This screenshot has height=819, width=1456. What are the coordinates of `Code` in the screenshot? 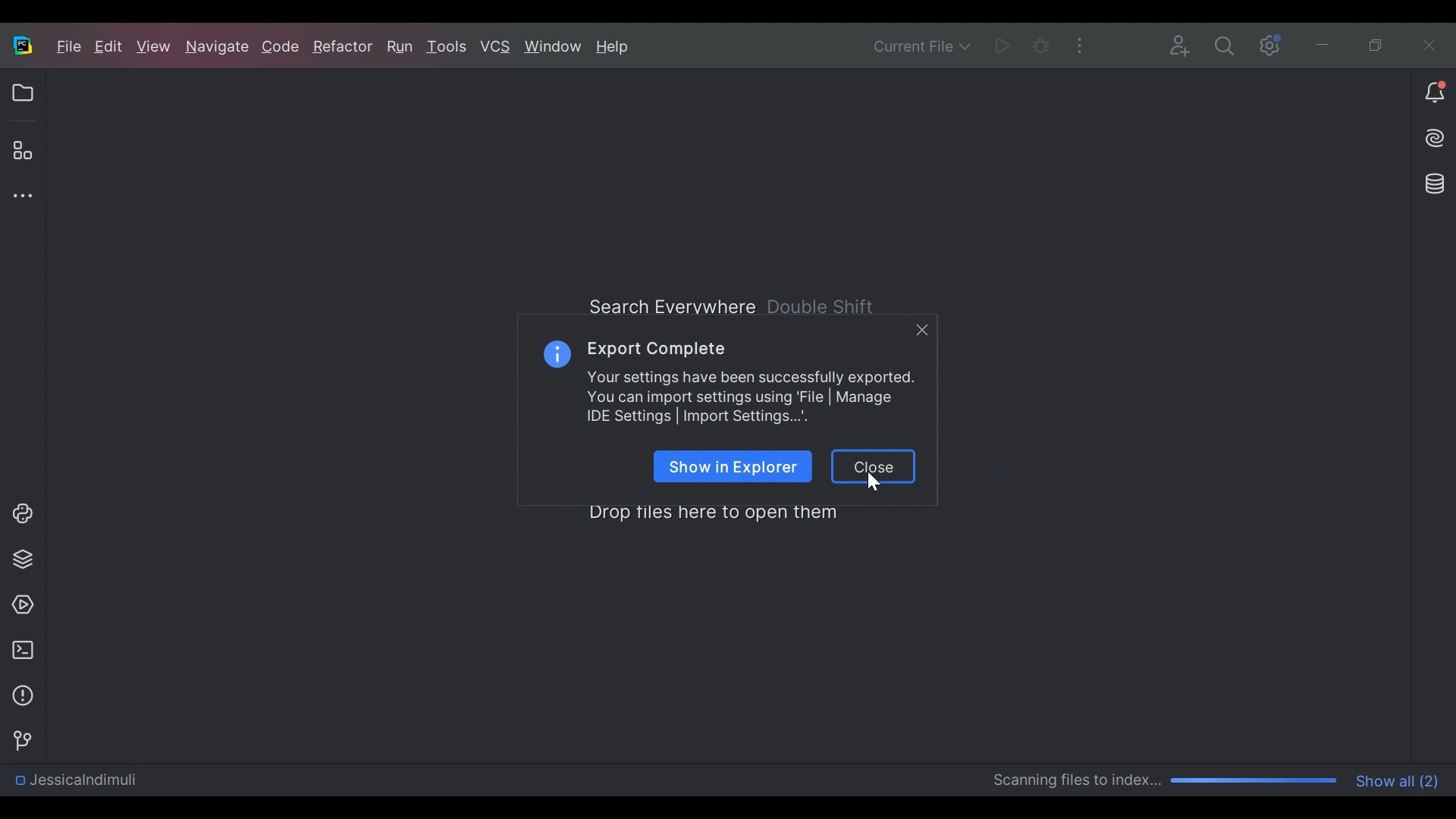 It's located at (282, 49).